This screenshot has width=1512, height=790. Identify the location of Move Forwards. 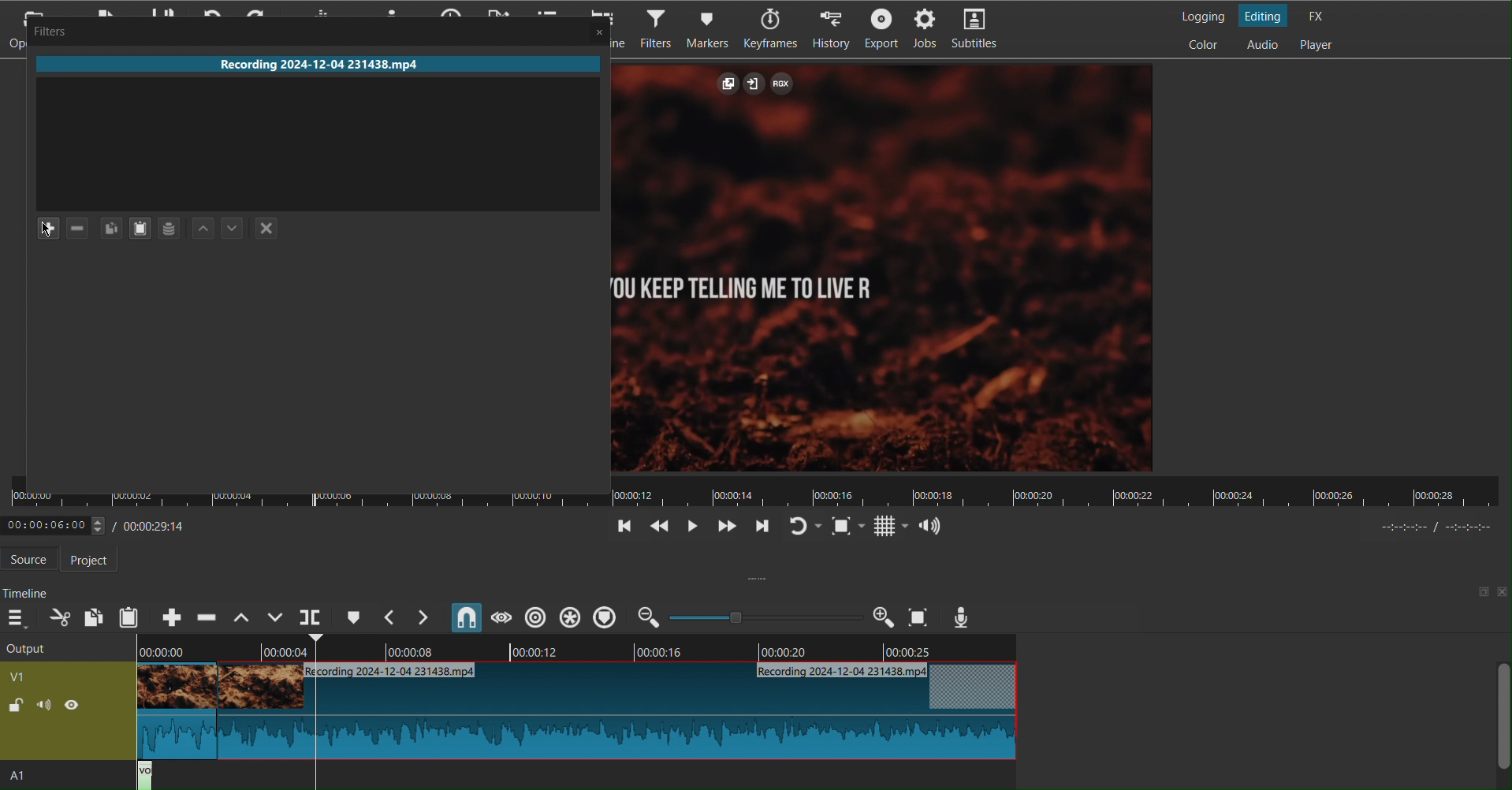
(725, 528).